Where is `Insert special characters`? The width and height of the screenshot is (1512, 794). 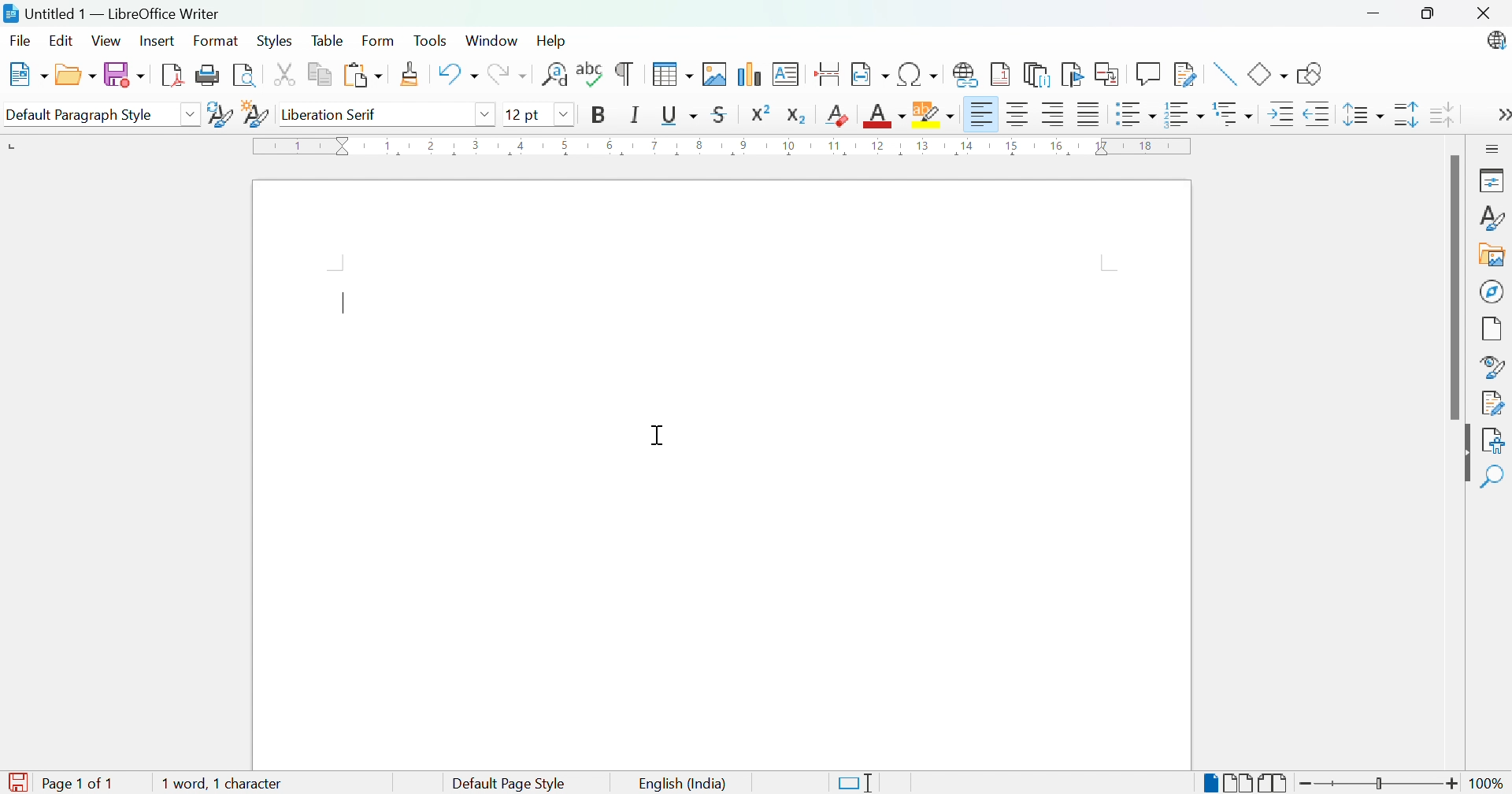
Insert special characters is located at coordinates (920, 74).